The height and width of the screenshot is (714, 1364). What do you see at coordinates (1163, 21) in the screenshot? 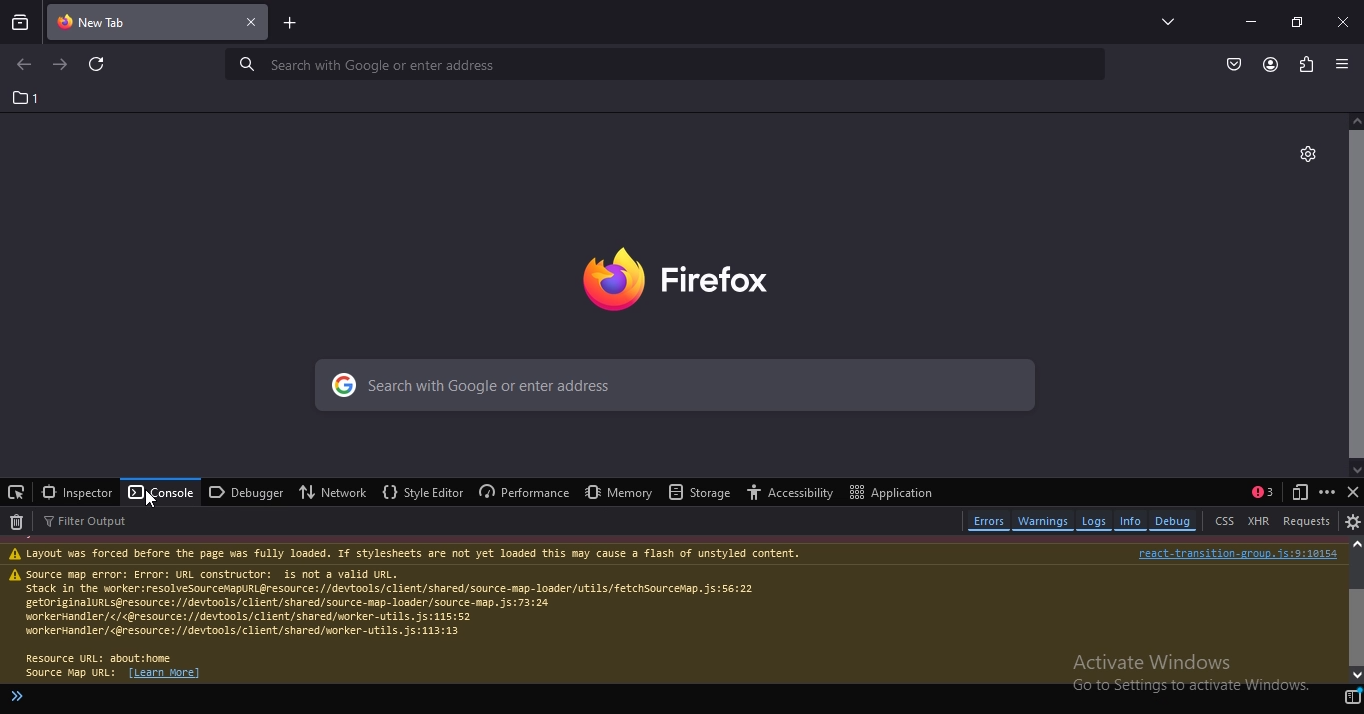
I see `list all tabs` at bounding box center [1163, 21].